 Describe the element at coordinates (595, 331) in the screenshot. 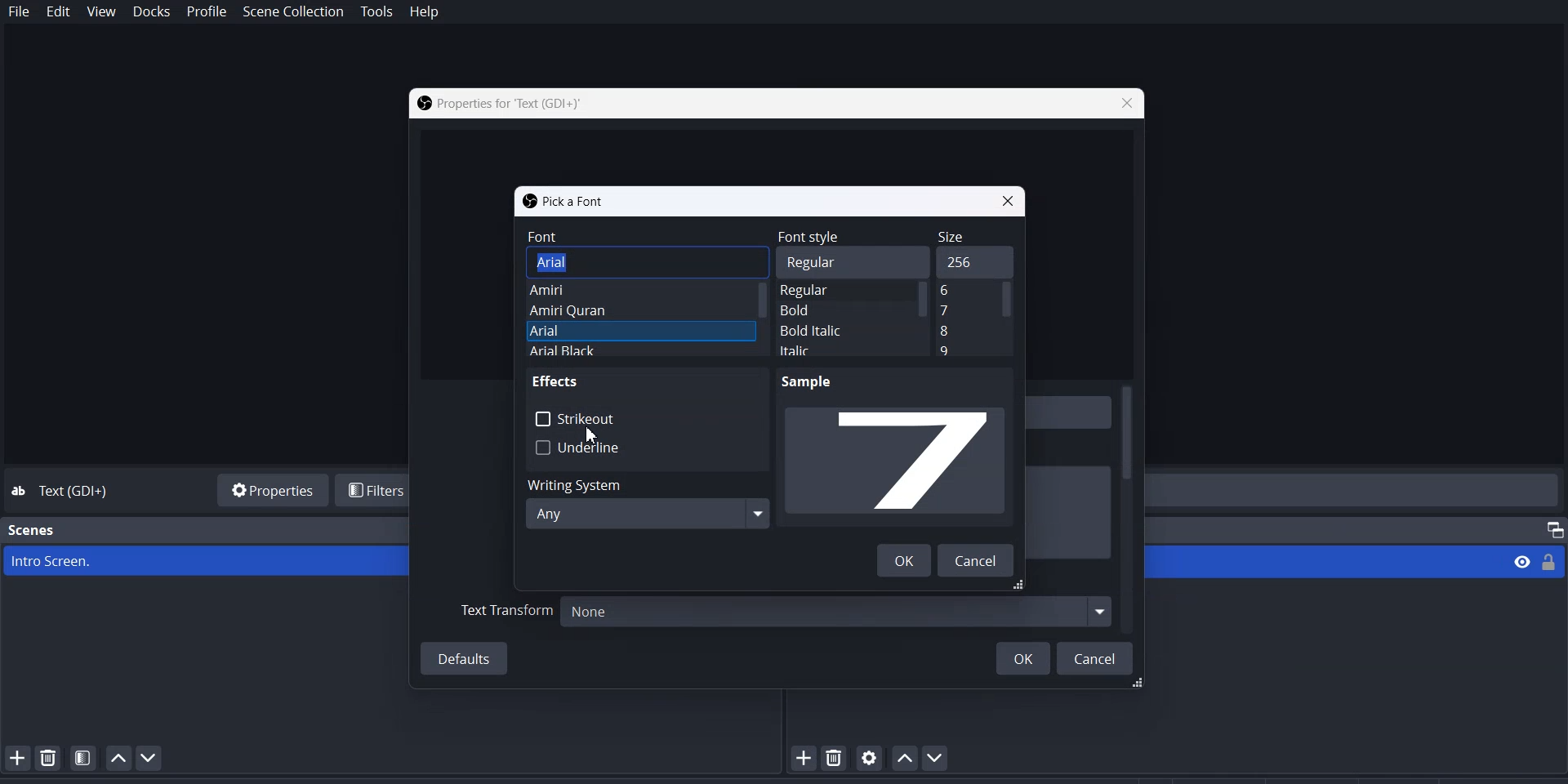

I see `Arial` at that location.